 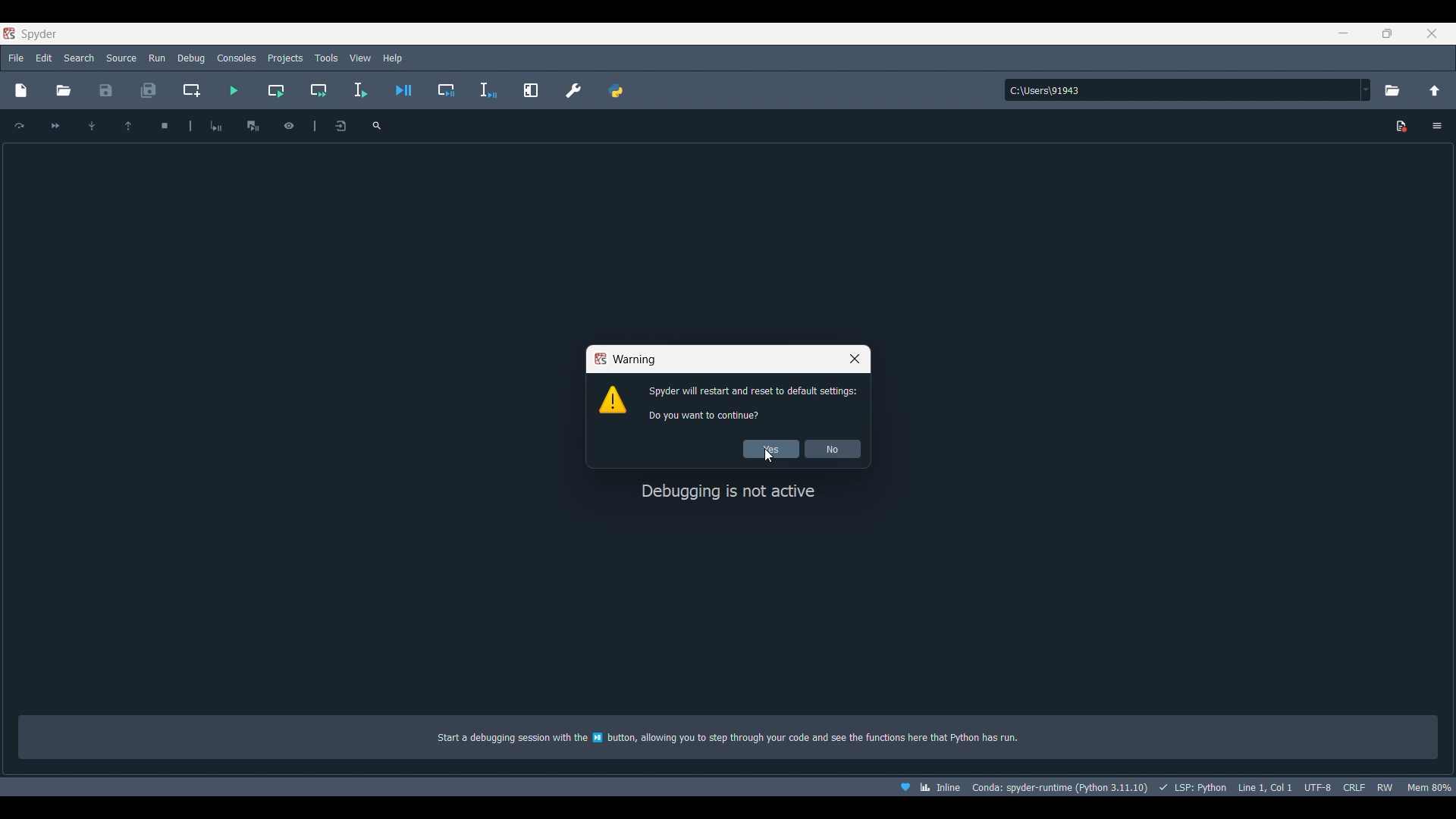 What do you see at coordinates (767, 460) in the screenshot?
I see `cursor` at bounding box center [767, 460].